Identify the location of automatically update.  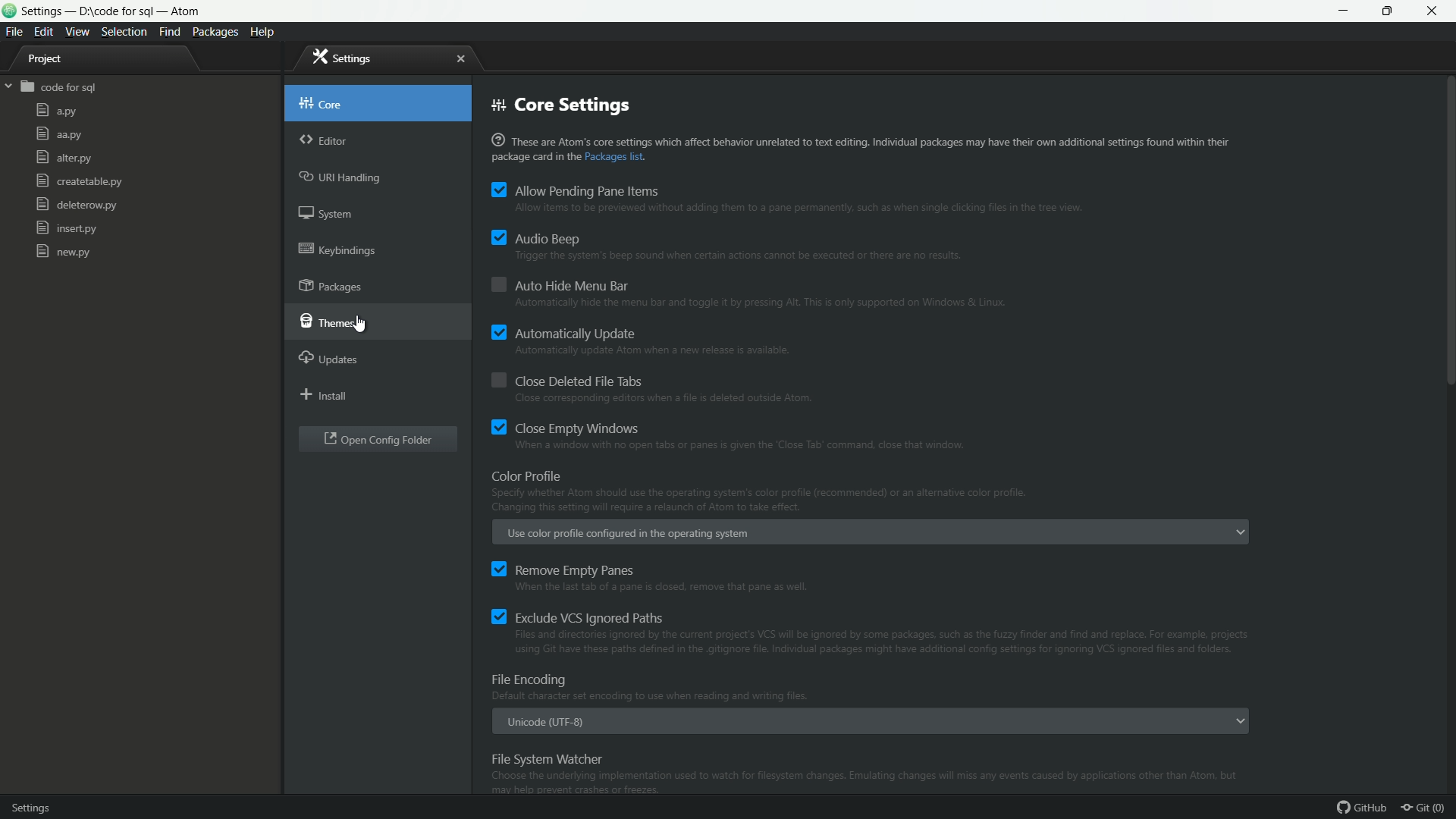
(563, 332).